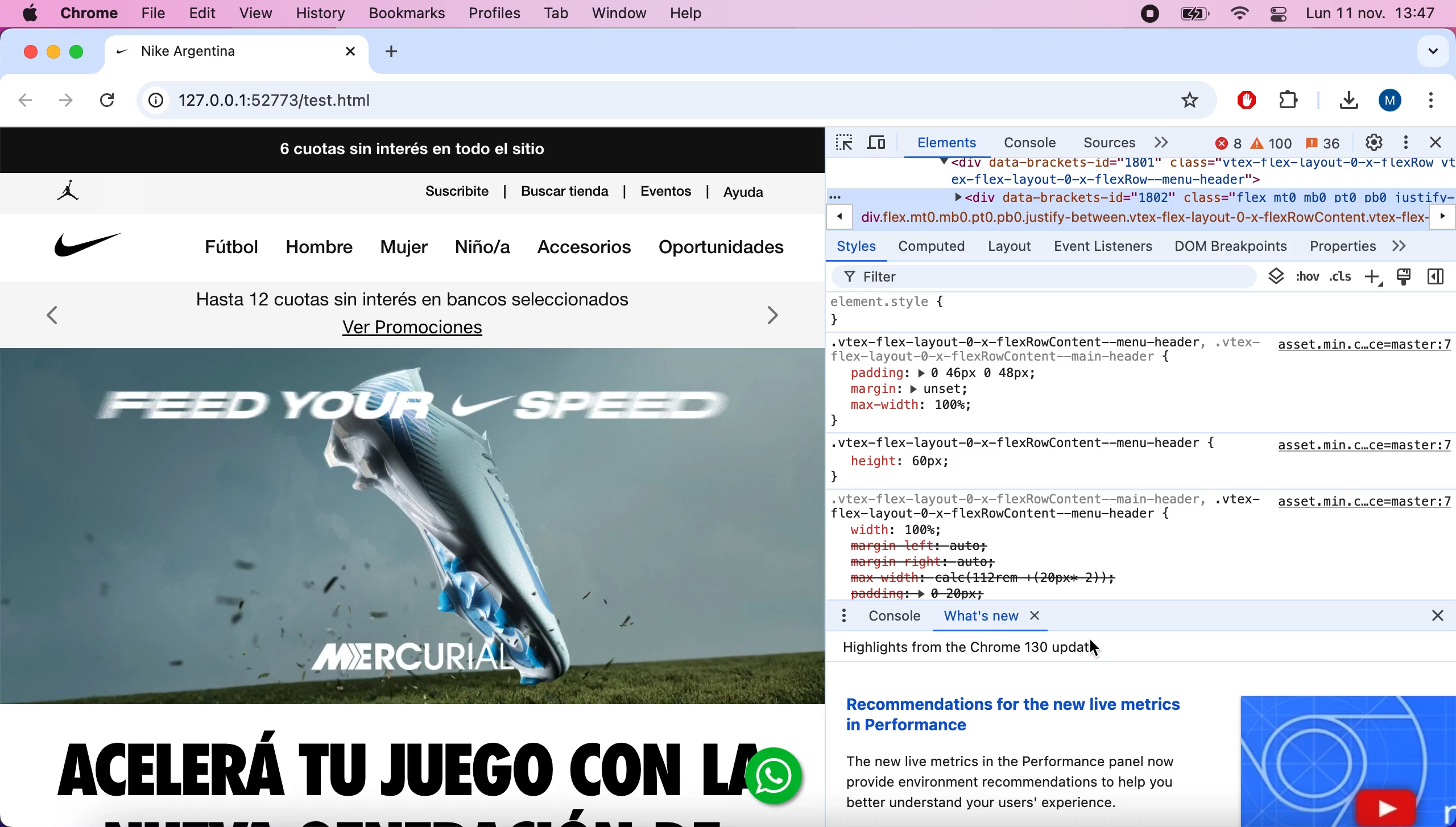 Image resolution: width=1456 pixels, height=827 pixels. What do you see at coordinates (320, 15) in the screenshot?
I see `History` at bounding box center [320, 15].